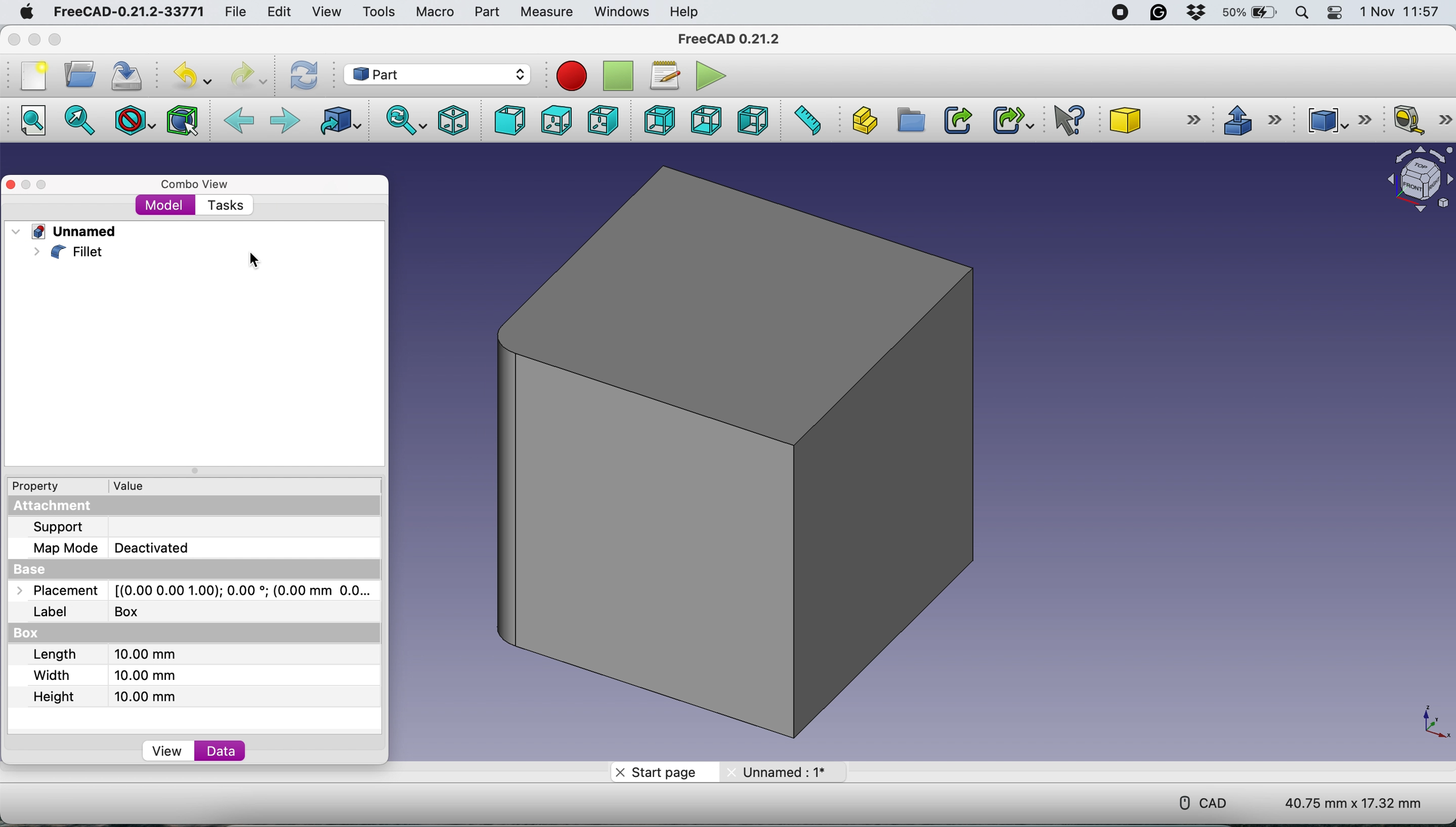 The height and width of the screenshot is (827, 1456). I want to click on placement, so click(199, 593).